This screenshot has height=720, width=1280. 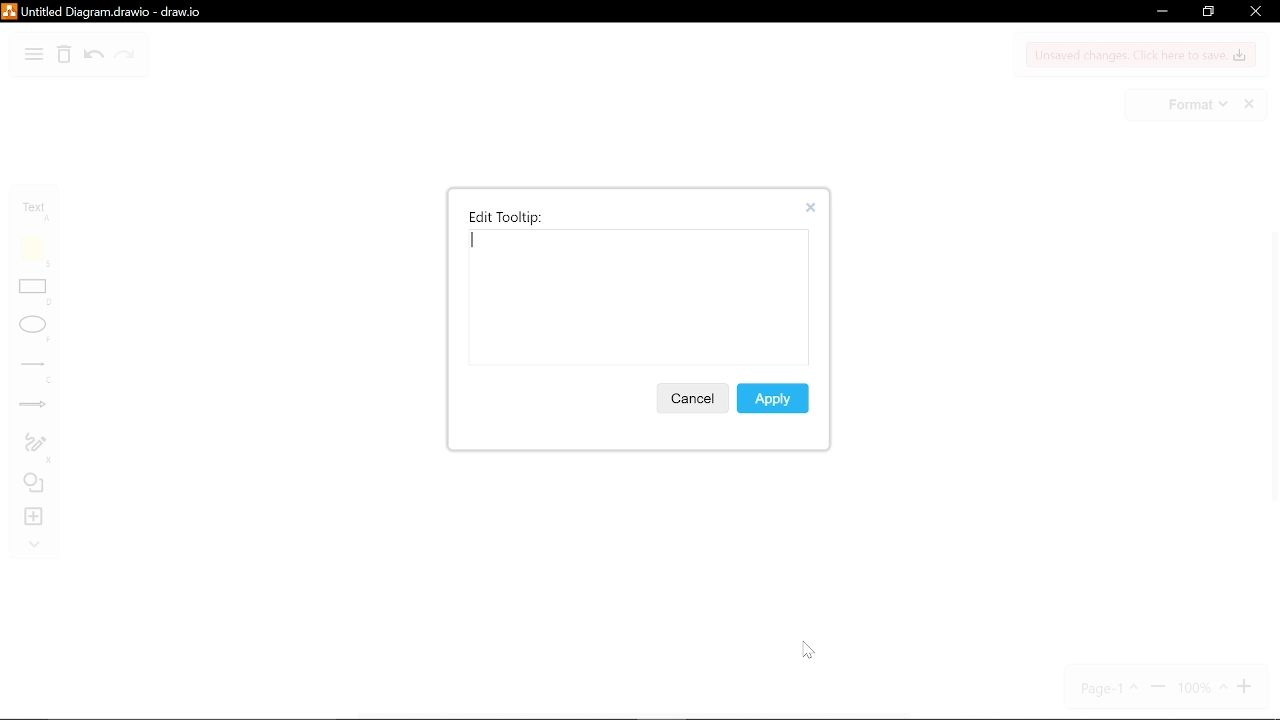 I want to click on minimize, so click(x=1160, y=13).